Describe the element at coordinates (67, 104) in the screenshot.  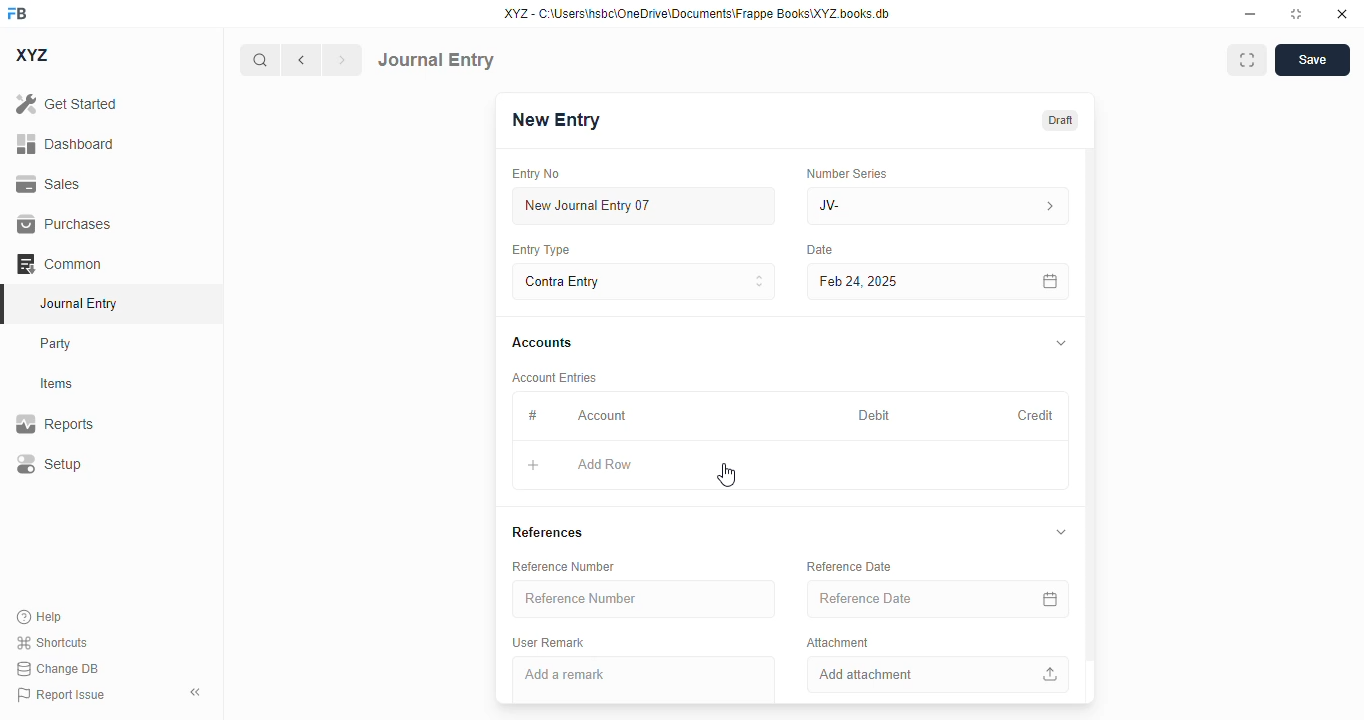
I see `get started` at that location.